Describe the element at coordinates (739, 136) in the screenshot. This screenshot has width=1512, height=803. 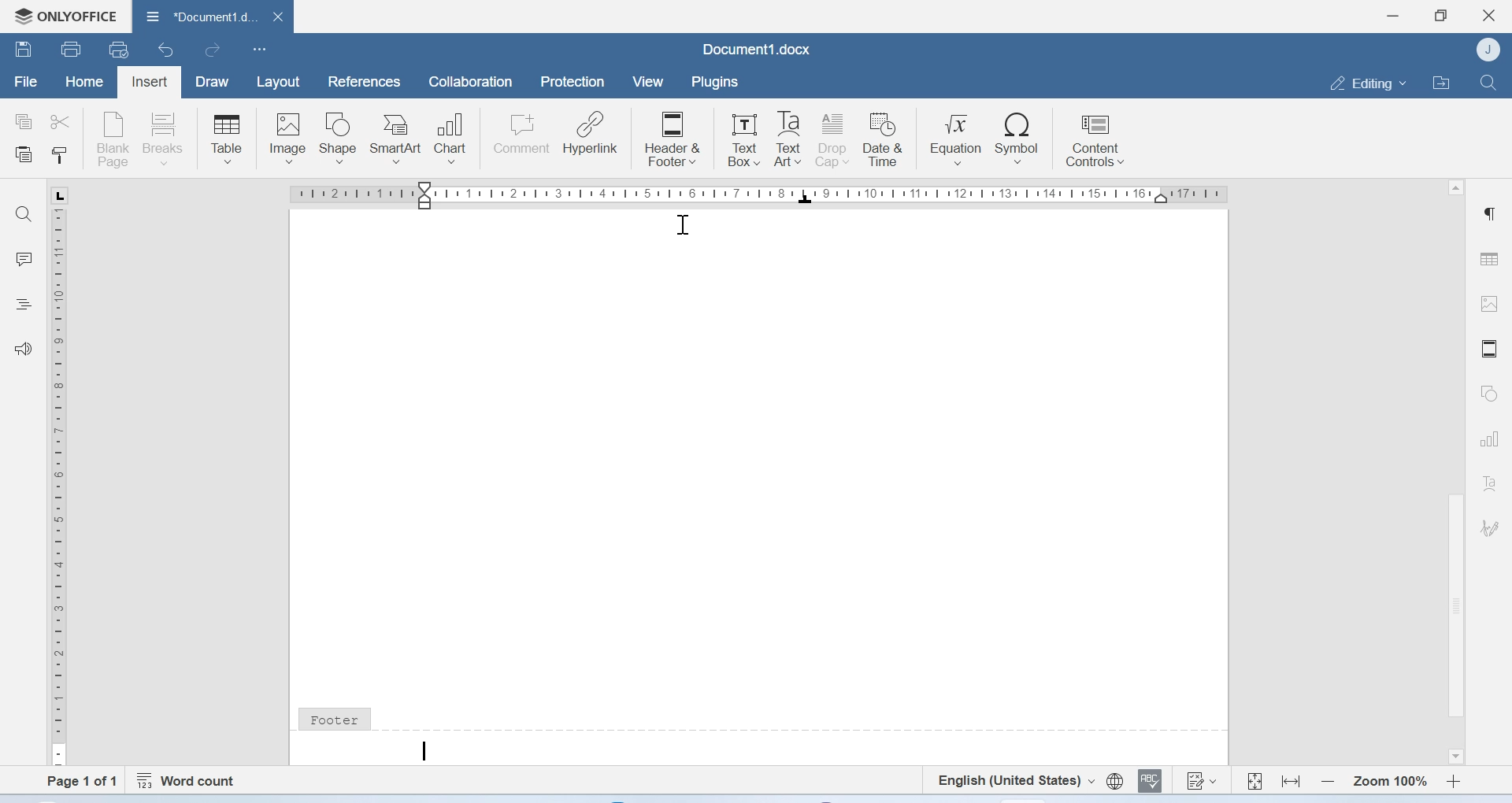
I see `Text Box` at that location.